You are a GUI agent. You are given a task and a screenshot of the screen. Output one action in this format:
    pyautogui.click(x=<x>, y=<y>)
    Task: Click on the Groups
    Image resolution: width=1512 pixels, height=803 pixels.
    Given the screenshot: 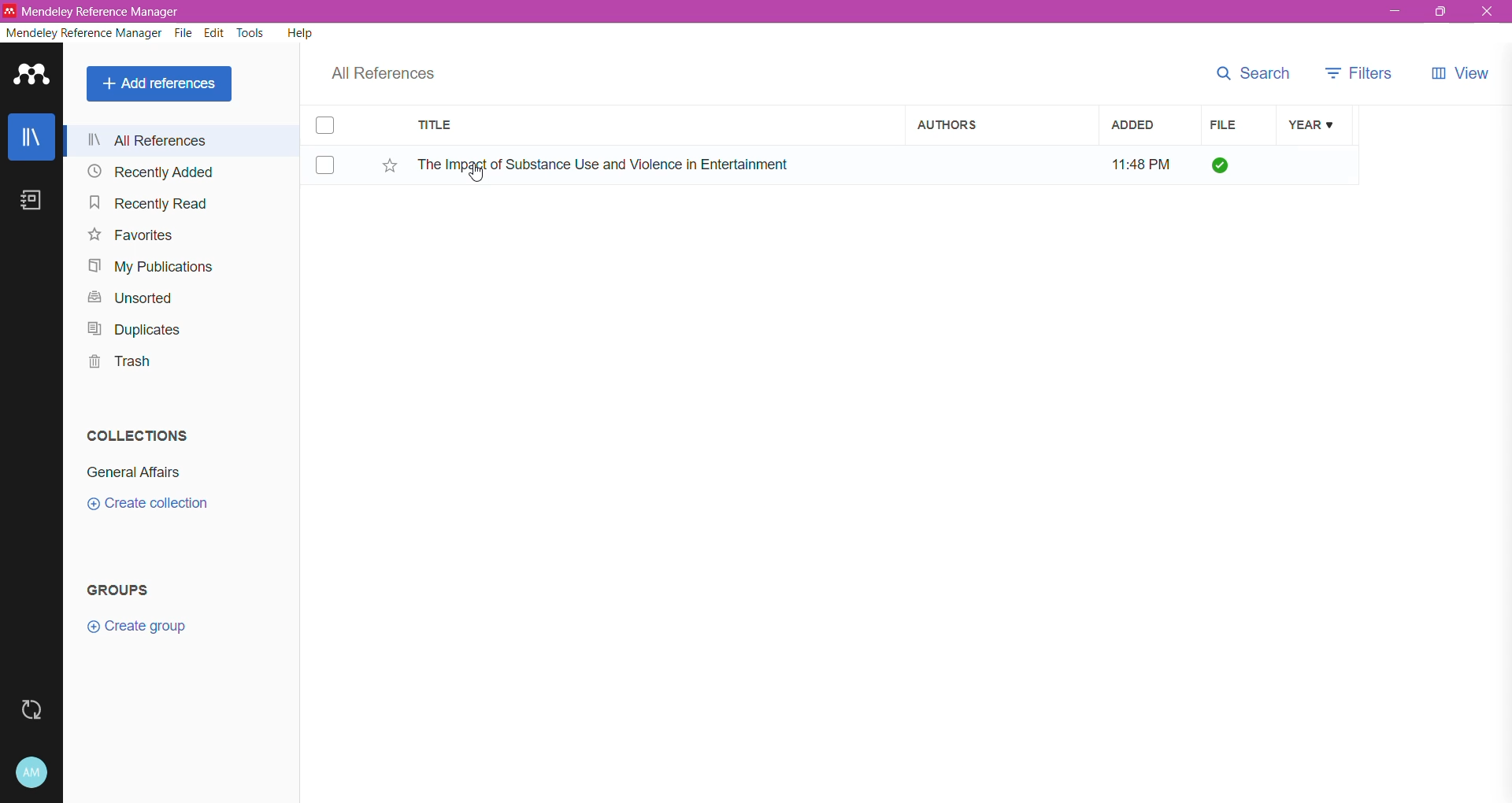 What is the action you would take?
    pyautogui.click(x=118, y=590)
    